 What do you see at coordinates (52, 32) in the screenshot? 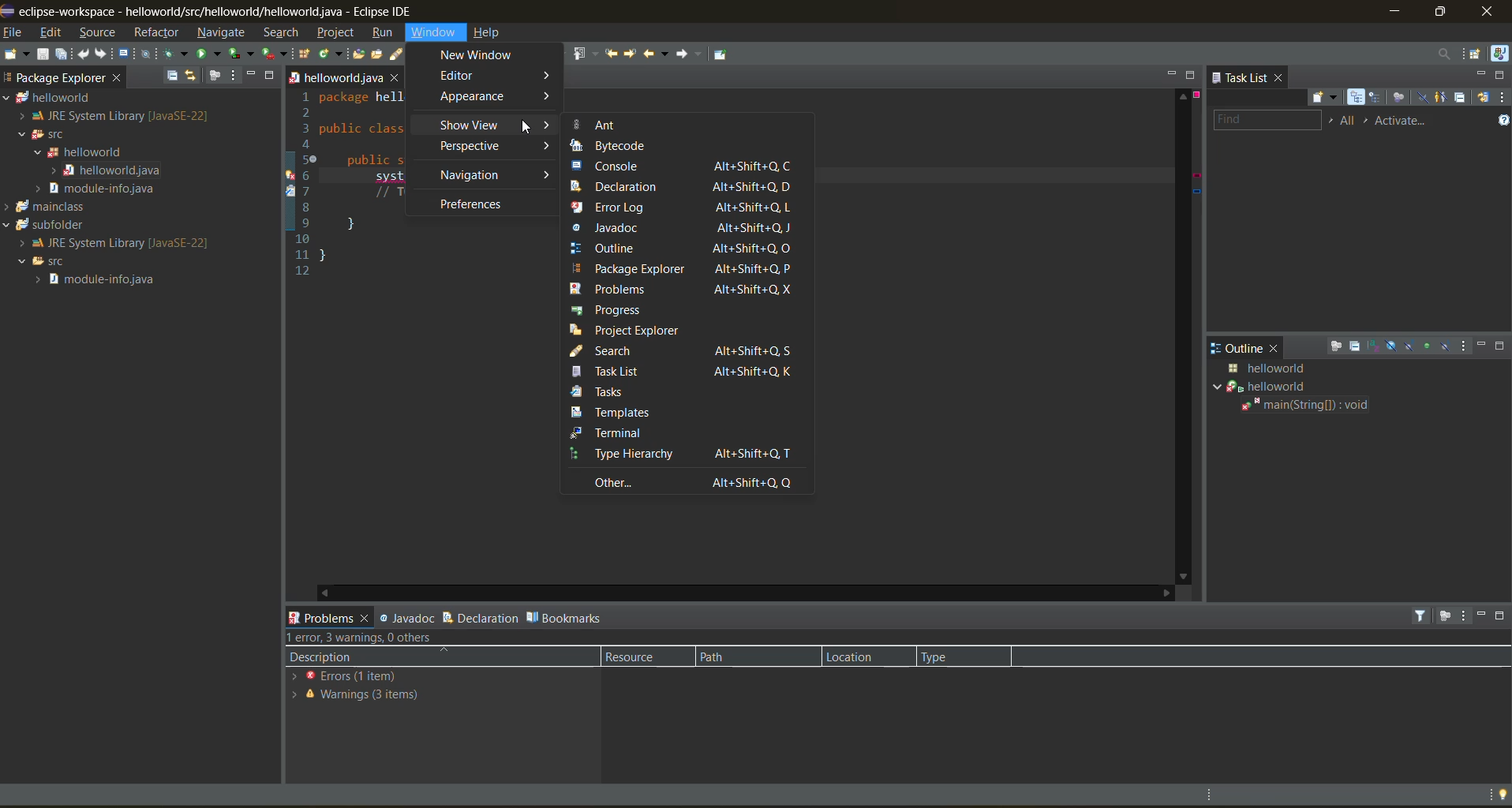
I see `edit` at bounding box center [52, 32].